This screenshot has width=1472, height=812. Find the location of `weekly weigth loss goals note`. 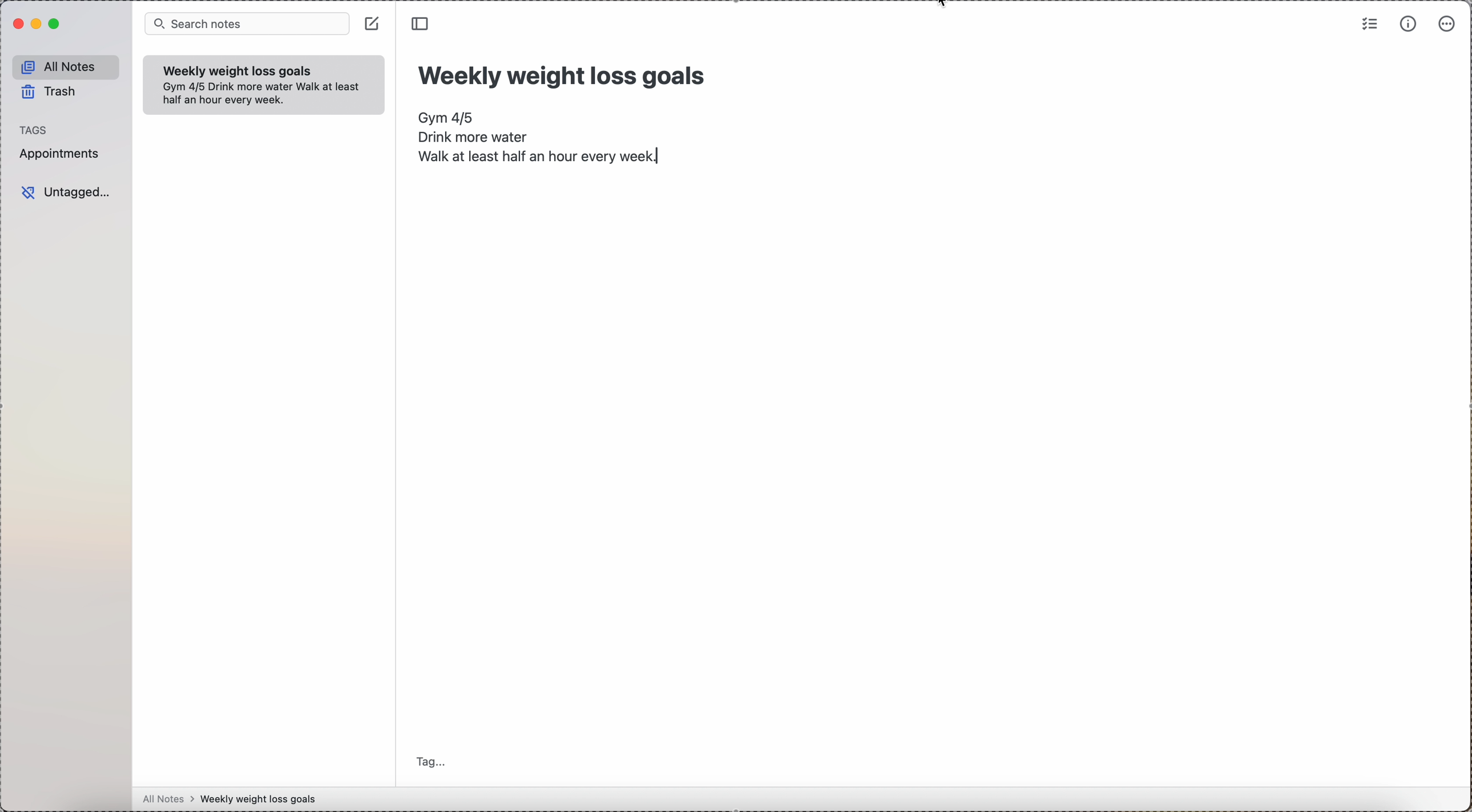

weekly weigth loss goals note is located at coordinates (238, 69).